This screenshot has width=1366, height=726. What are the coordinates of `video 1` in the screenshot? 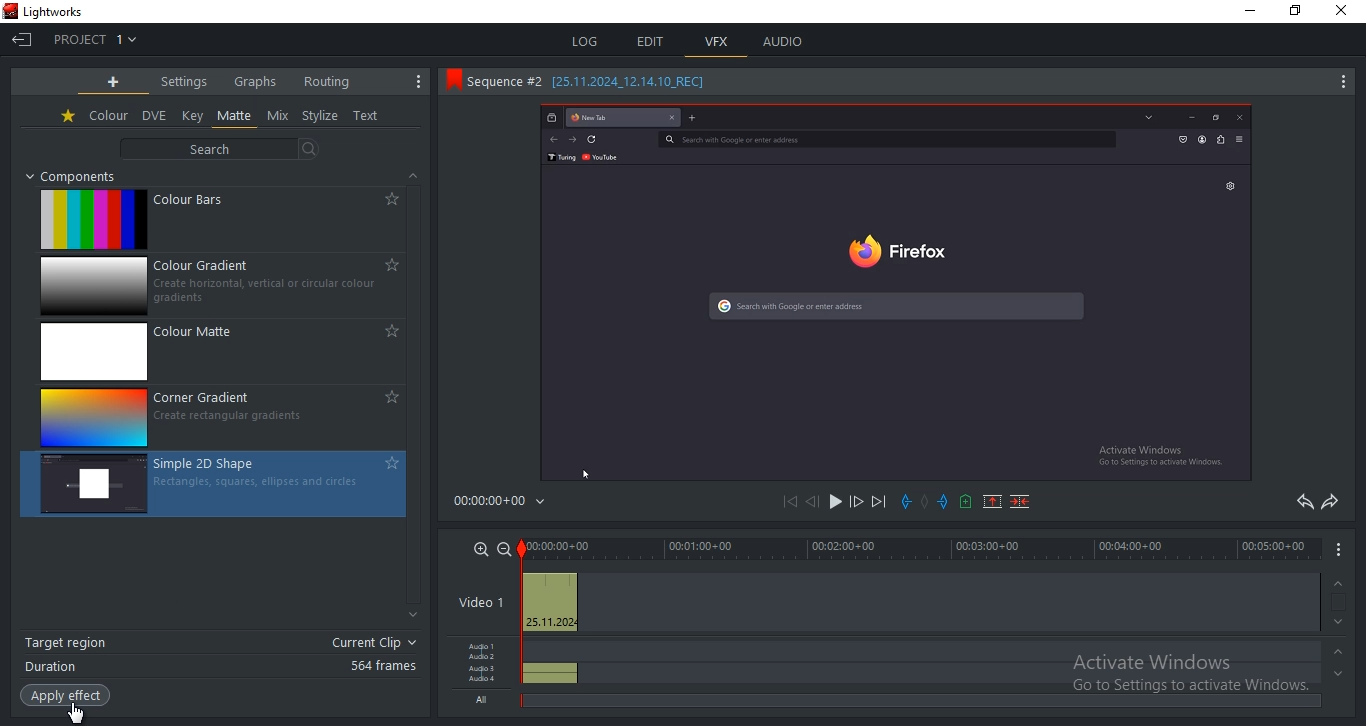 It's located at (477, 604).